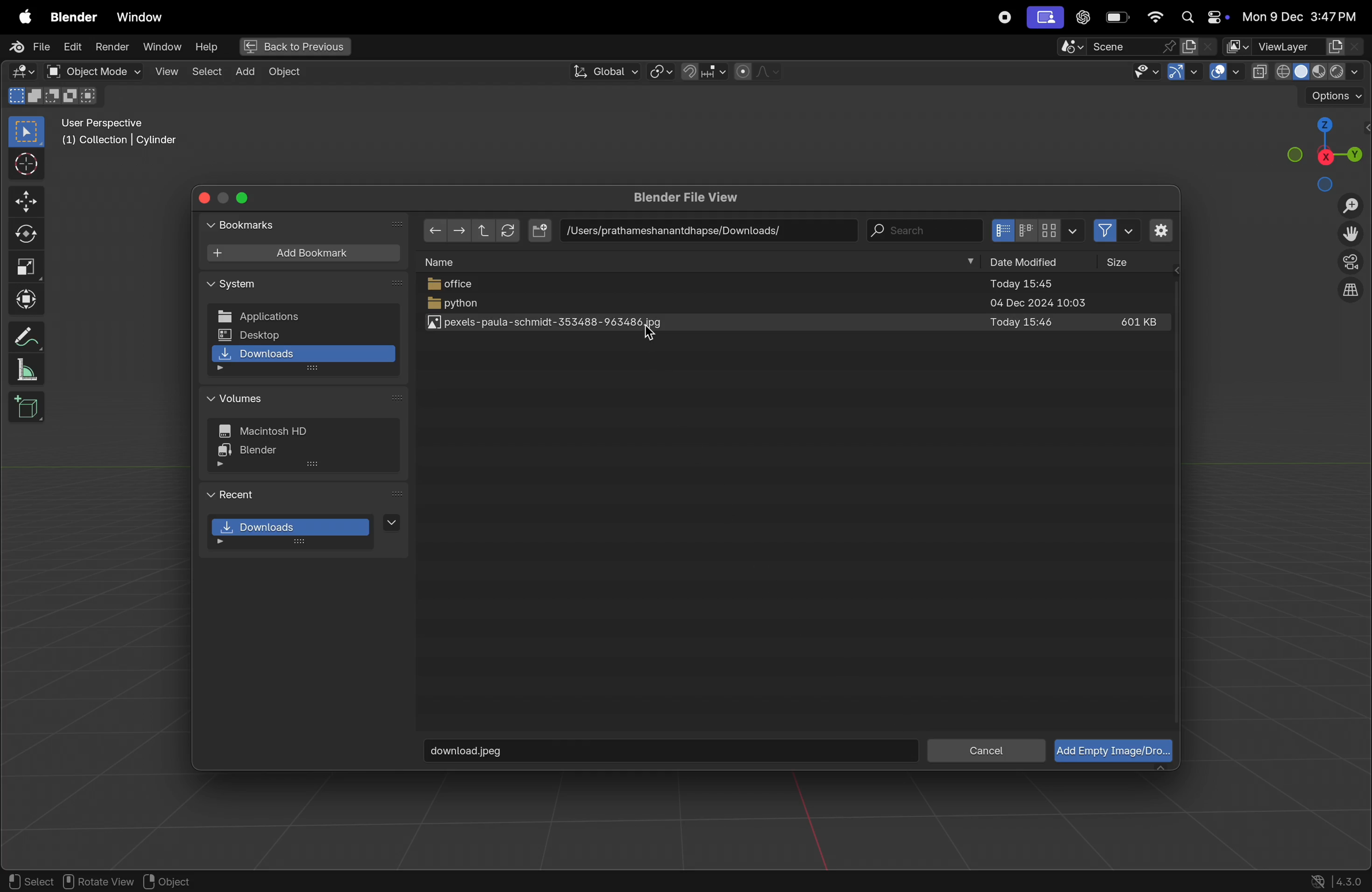 The image size is (1372, 892). I want to click on add book mark, so click(303, 254).